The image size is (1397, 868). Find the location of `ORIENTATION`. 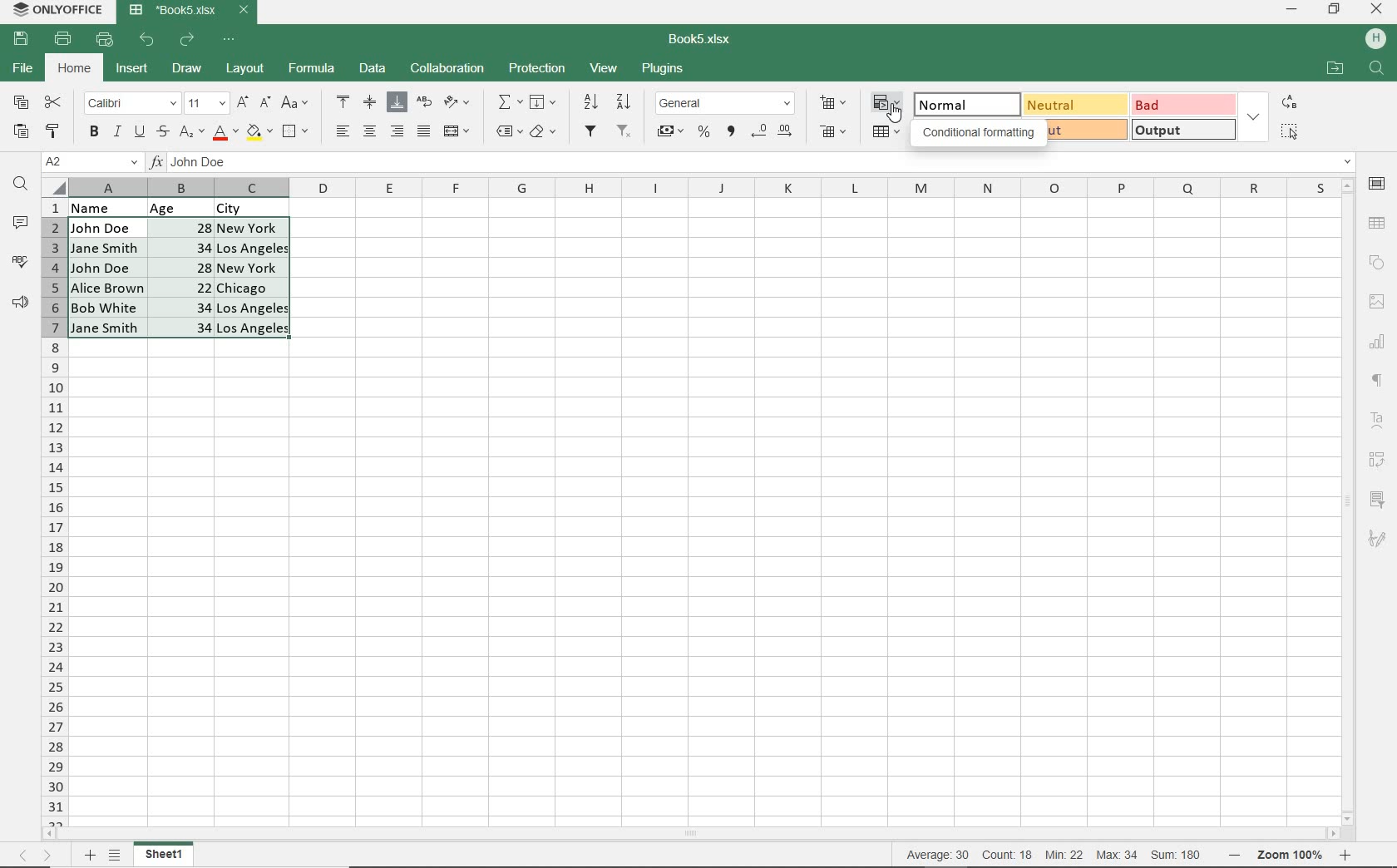

ORIENTATION is located at coordinates (458, 103).